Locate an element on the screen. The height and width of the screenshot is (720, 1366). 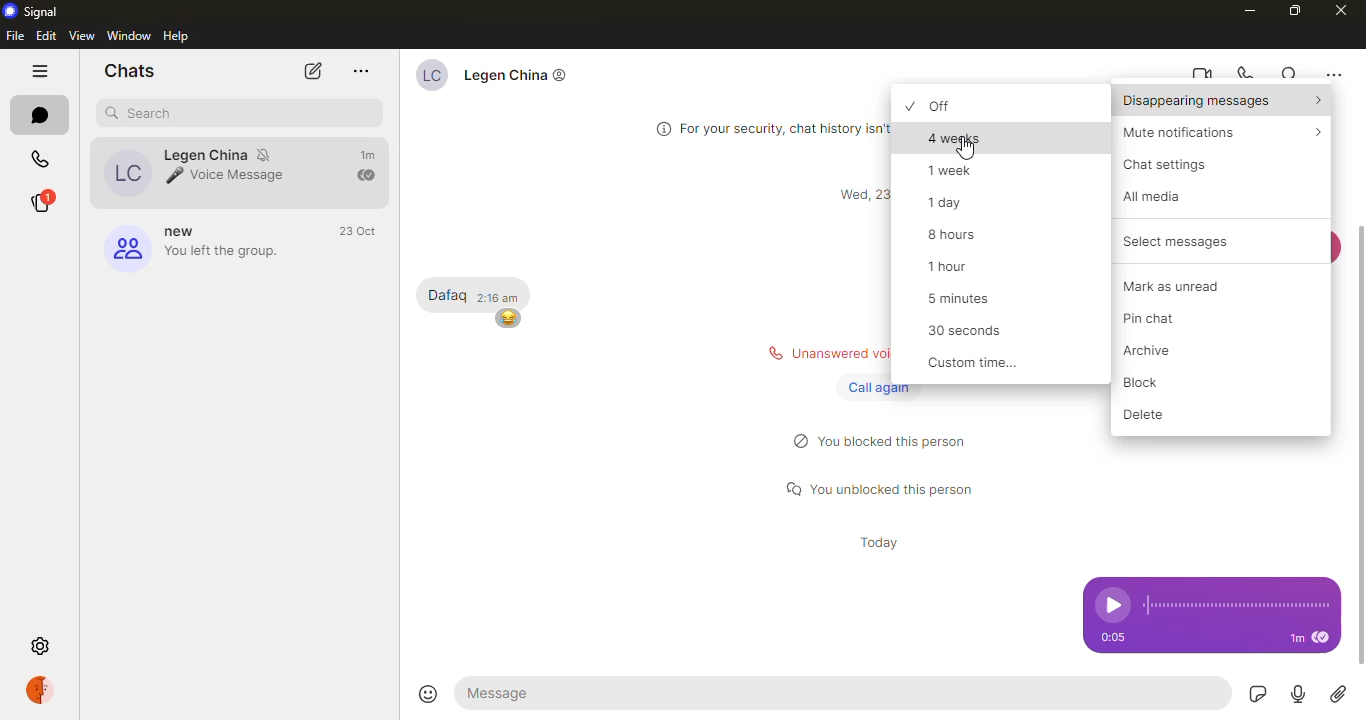
calls is located at coordinates (43, 154).